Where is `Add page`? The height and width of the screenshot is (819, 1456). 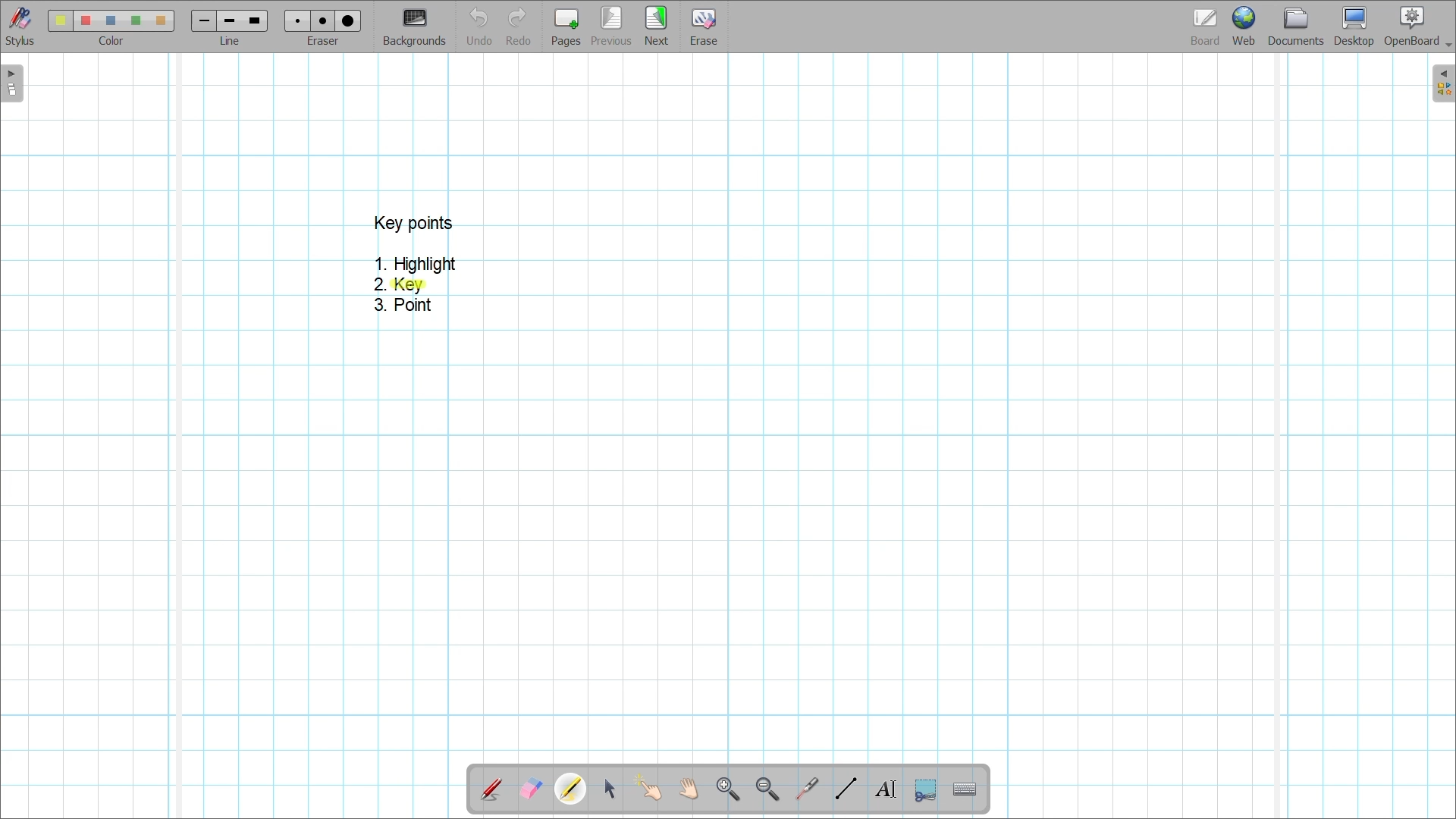 Add page is located at coordinates (566, 27).